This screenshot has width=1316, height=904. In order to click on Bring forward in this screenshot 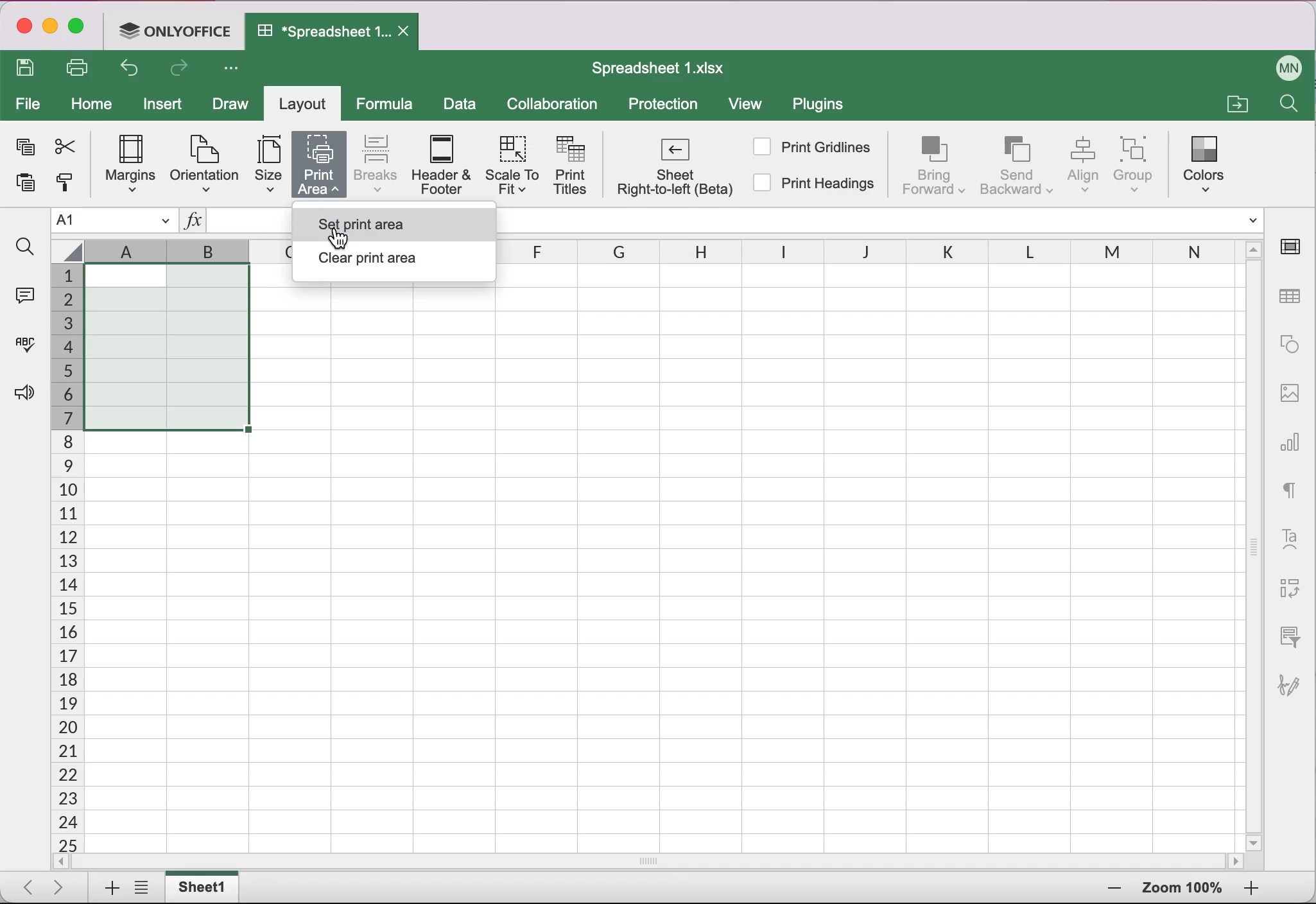, I will do `click(935, 165)`.